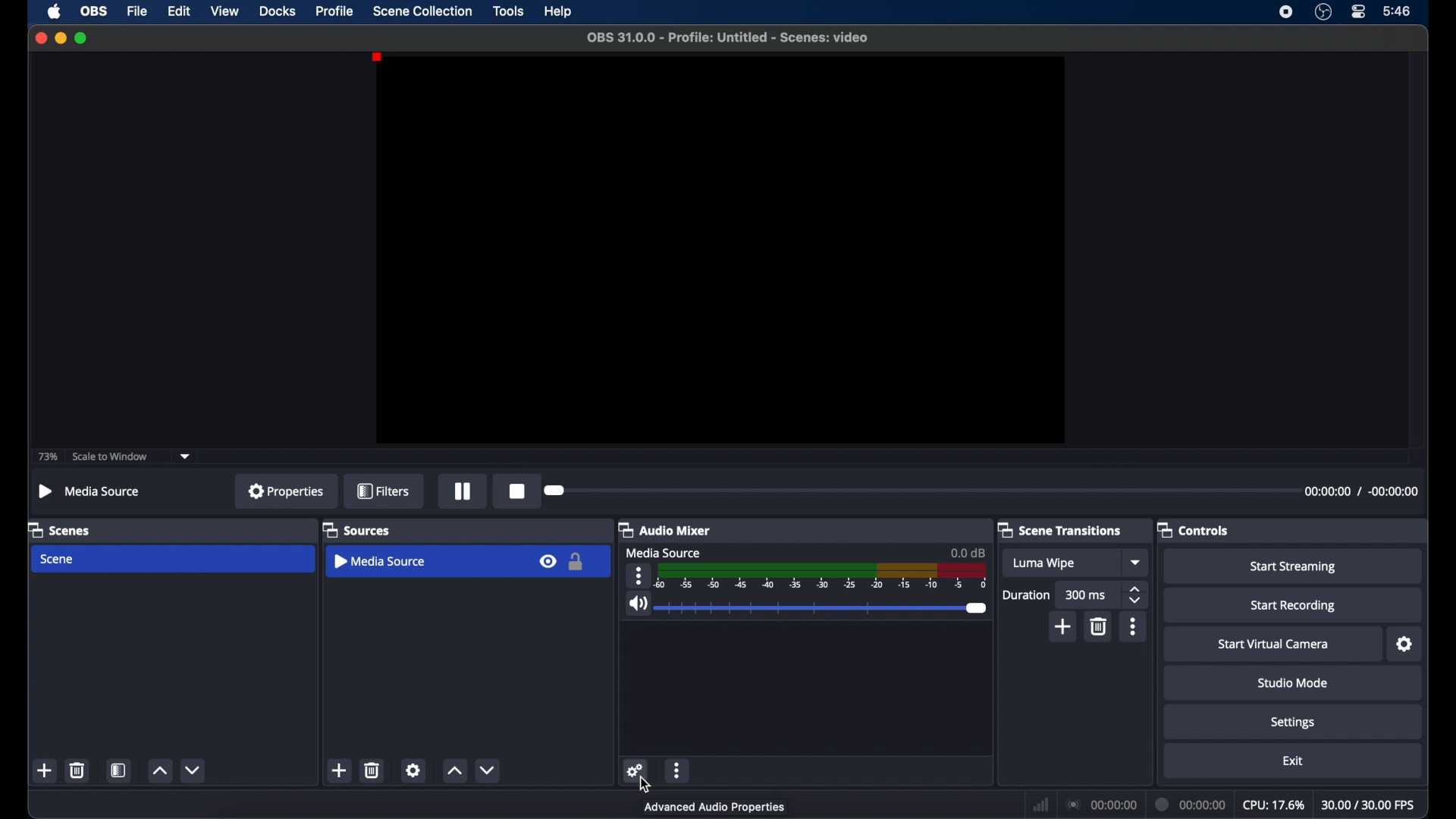  Describe the element at coordinates (47, 457) in the screenshot. I see `73%` at that location.